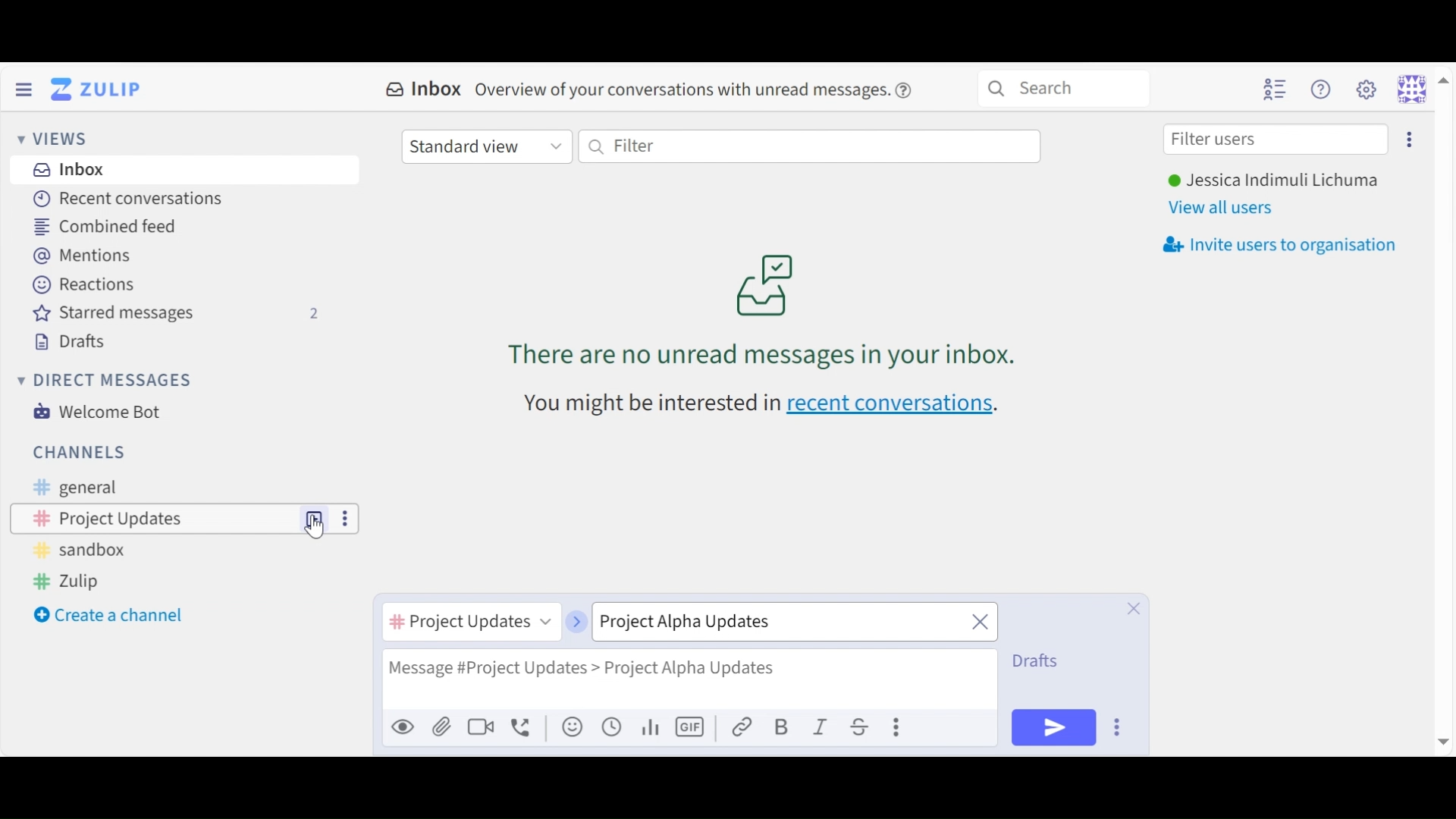 The width and height of the screenshot is (1456, 819). I want to click on next, so click(575, 615).